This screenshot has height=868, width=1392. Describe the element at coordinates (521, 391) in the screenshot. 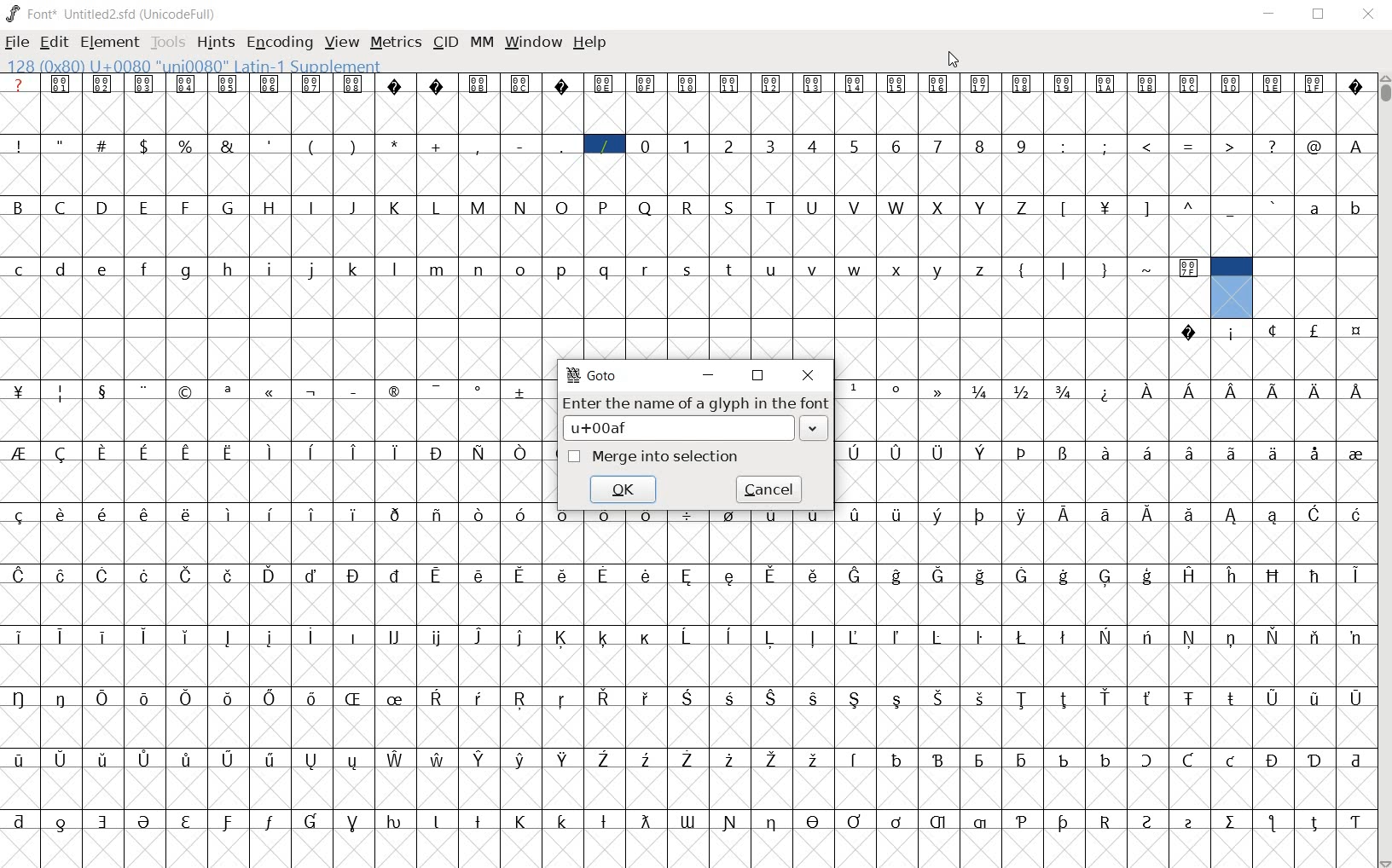

I see `Symbol` at that location.